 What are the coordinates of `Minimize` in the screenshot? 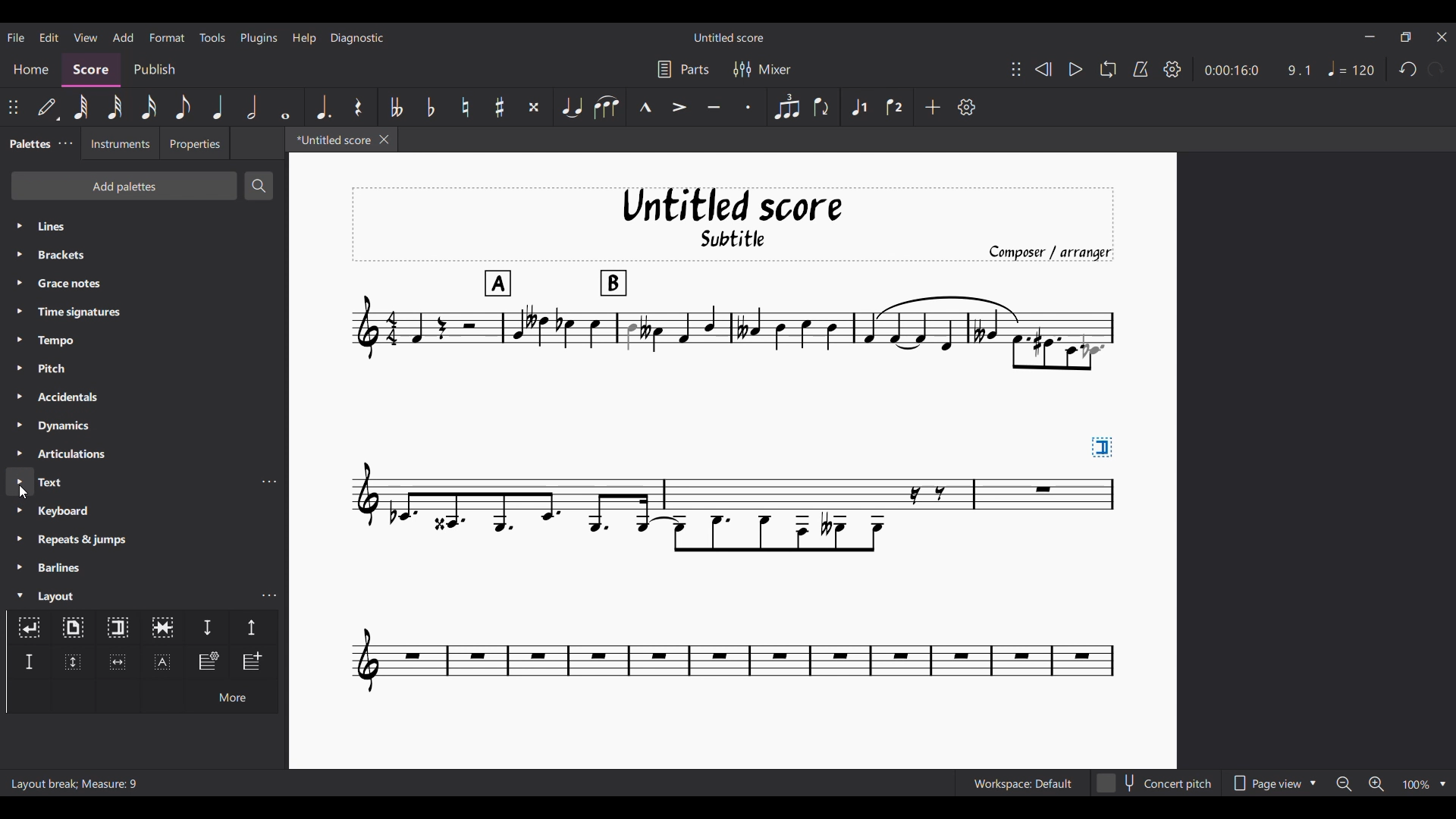 It's located at (1370, 36).